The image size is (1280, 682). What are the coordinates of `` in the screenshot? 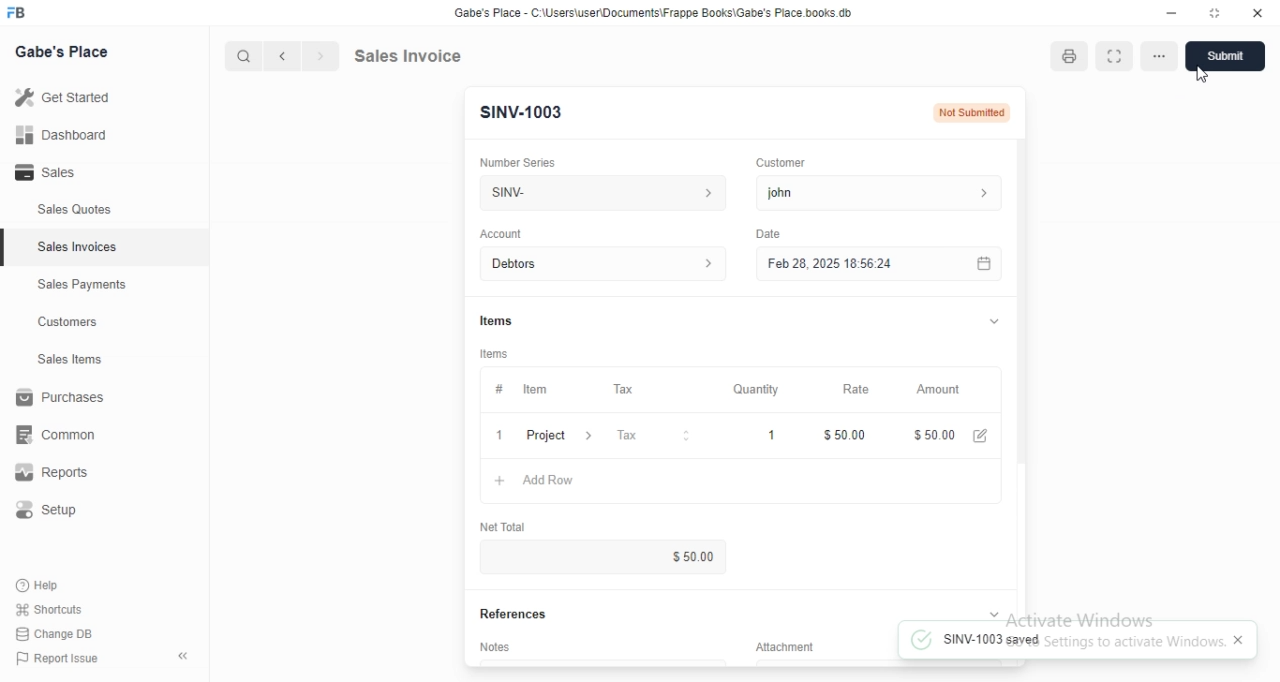 It's located at (796, 646).